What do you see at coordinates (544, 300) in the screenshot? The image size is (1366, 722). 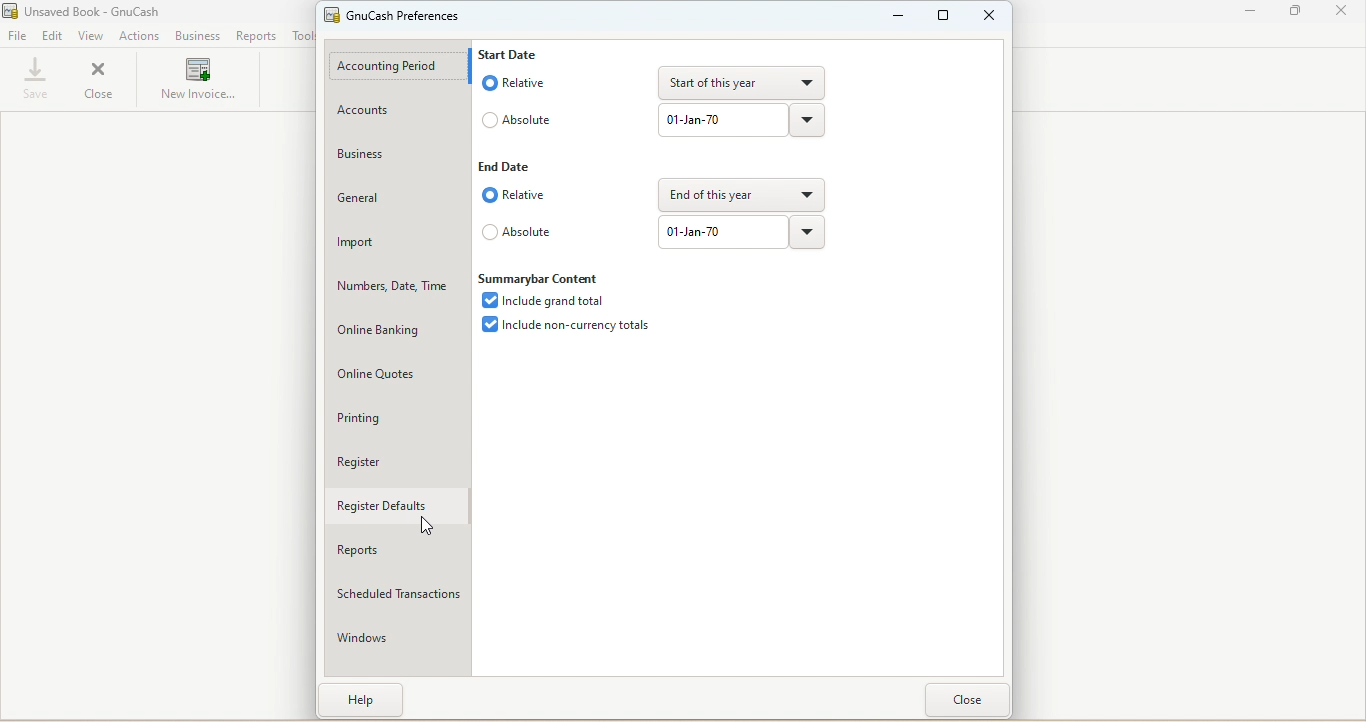 I see `Include grand total` at bounding box center [544, 300].